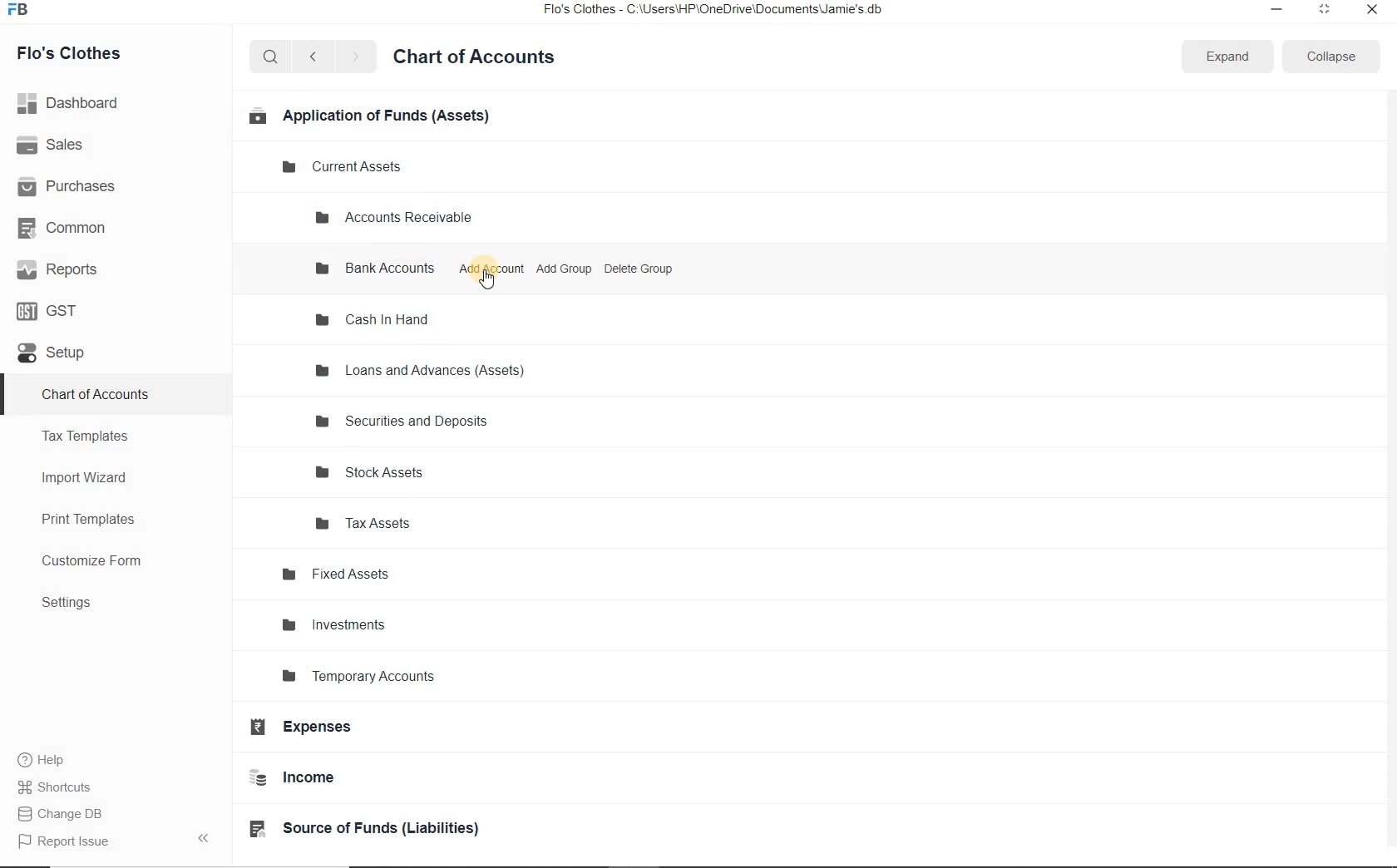 Image resolution: width=1397 pixels, height=868 pixels. Describe the element at coordinates (352, 629) in the screenshot. I see `Investments` at that location.